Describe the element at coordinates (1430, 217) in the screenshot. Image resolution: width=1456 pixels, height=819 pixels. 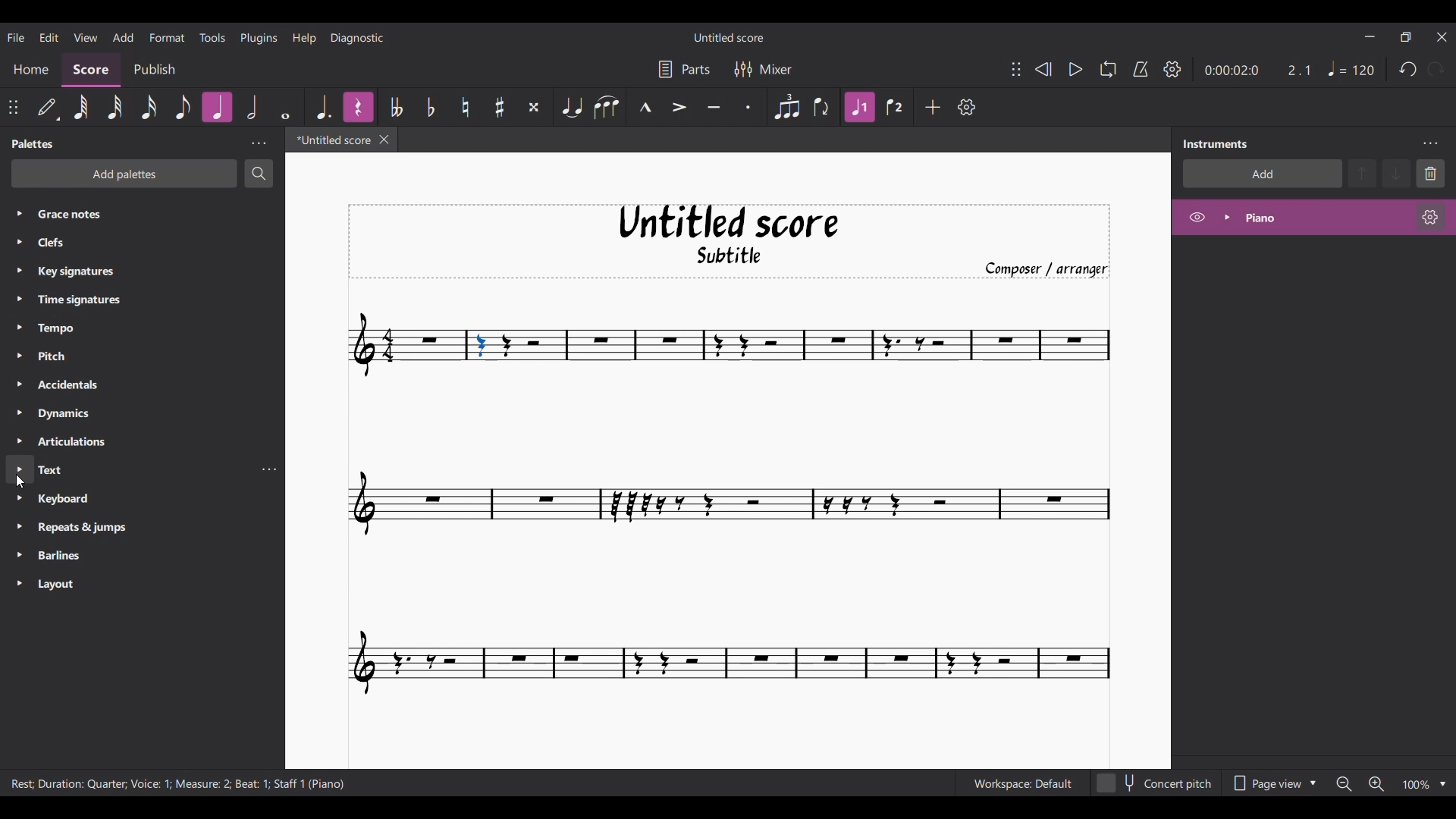
I see `Piano settings` at that location.